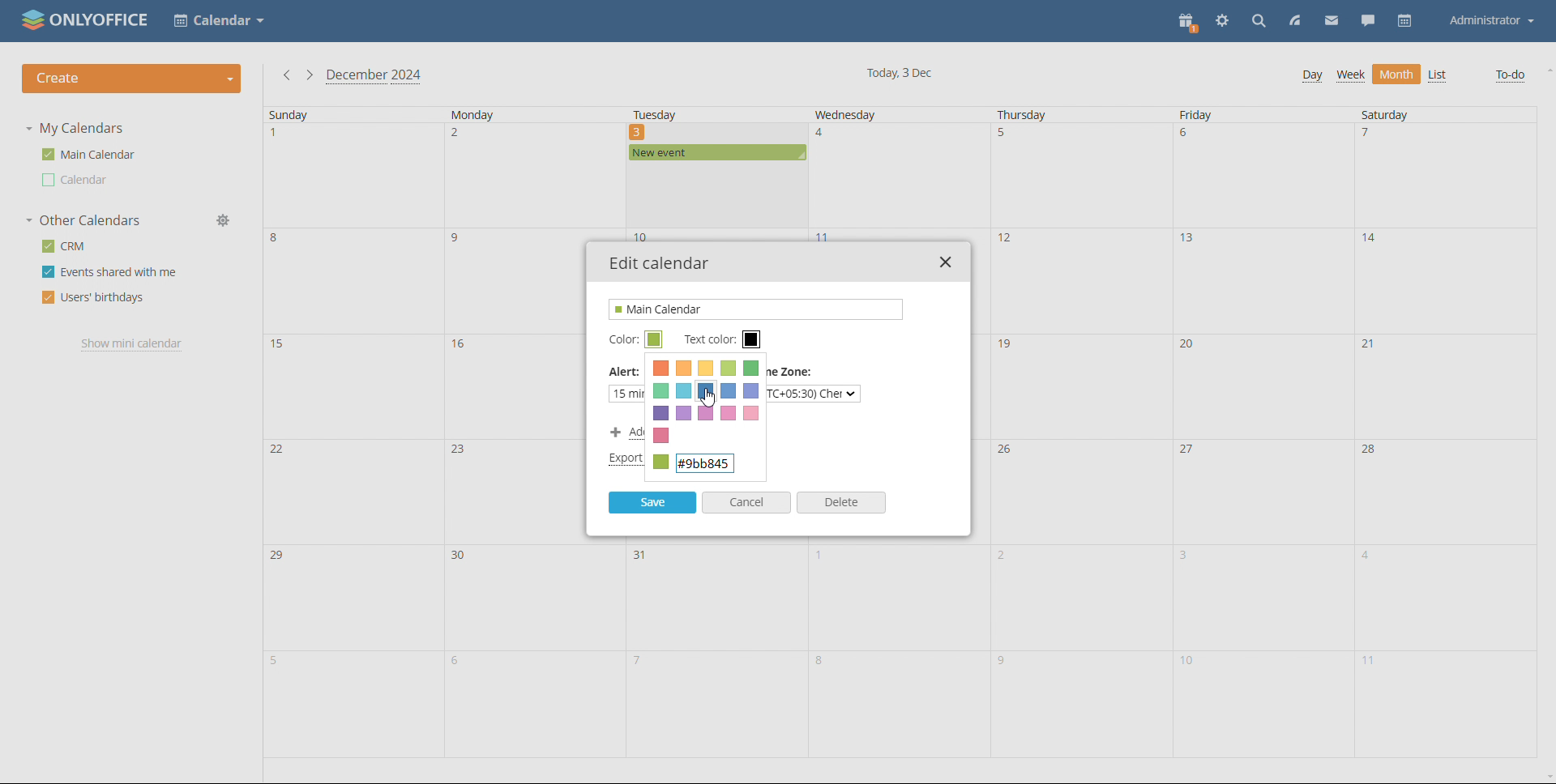  What do you see at coordinates (337, 115) in the screenshot?
I see `sunday` at bounding box center [337, 115].